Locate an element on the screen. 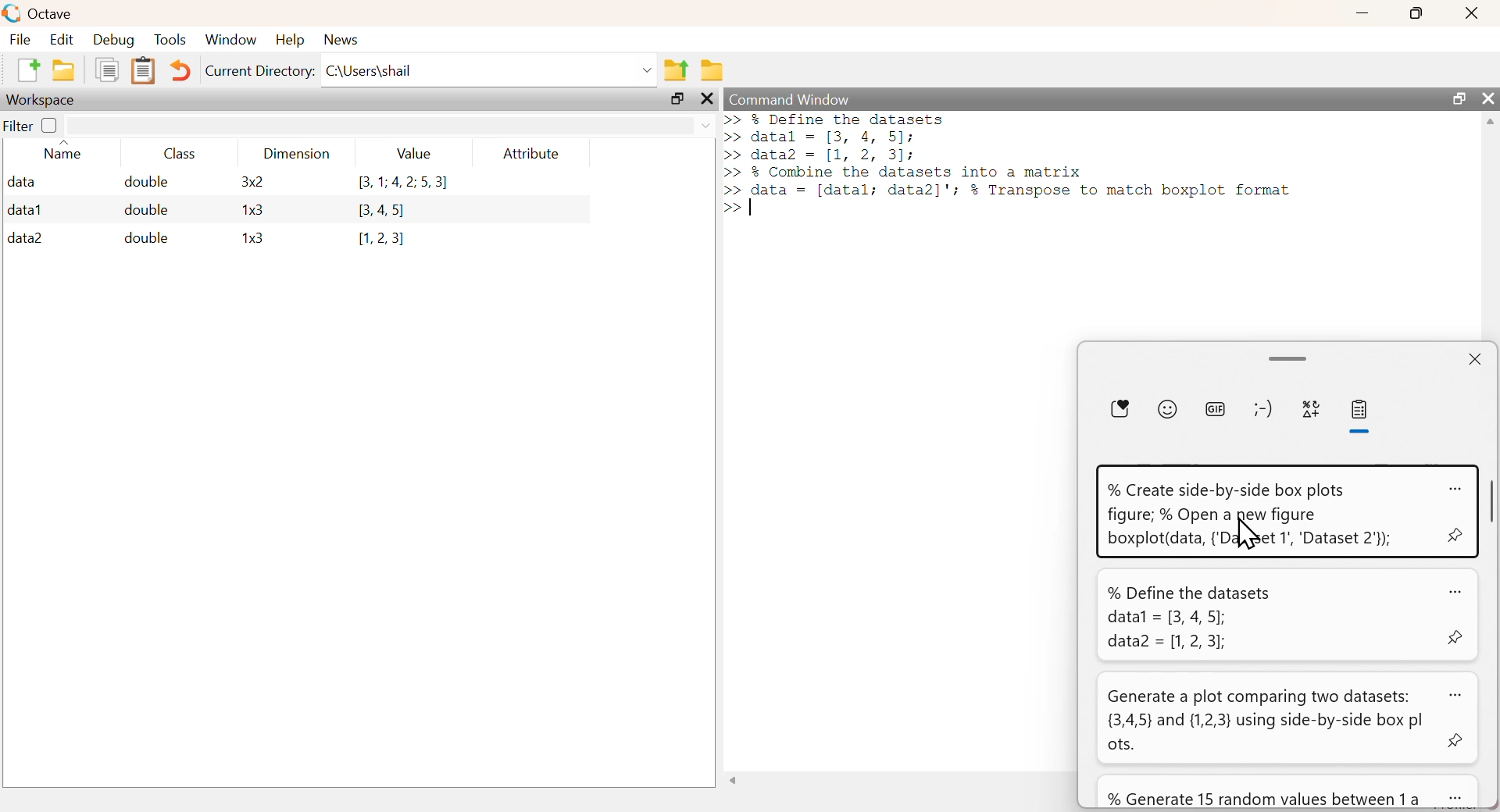 The height and width of the screenshot is (812, 1500). File is located at coordinates (21, 39).